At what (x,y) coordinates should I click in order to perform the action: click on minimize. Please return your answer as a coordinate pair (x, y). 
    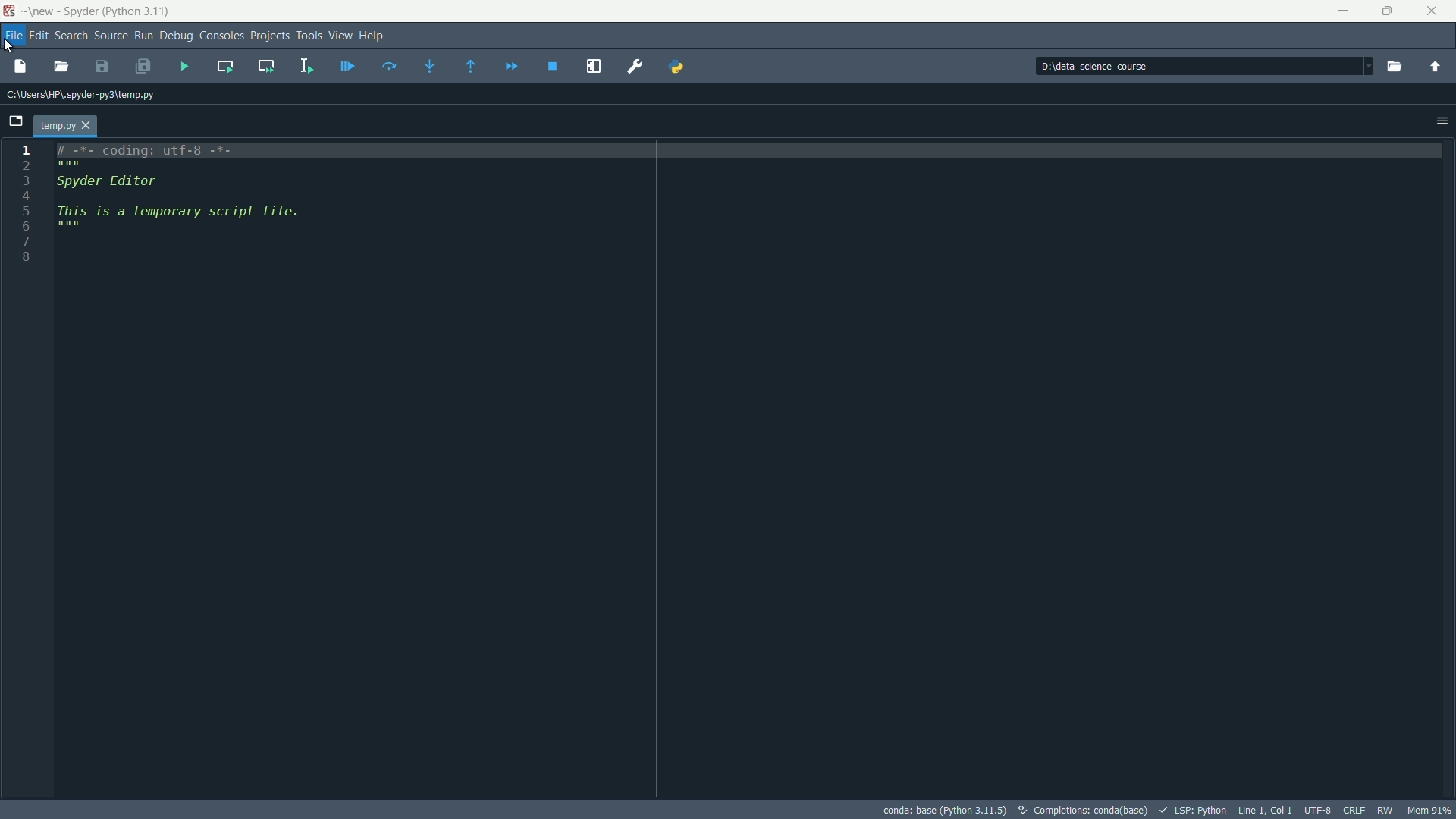
    Looking at the image, I should click on (1348, 11).